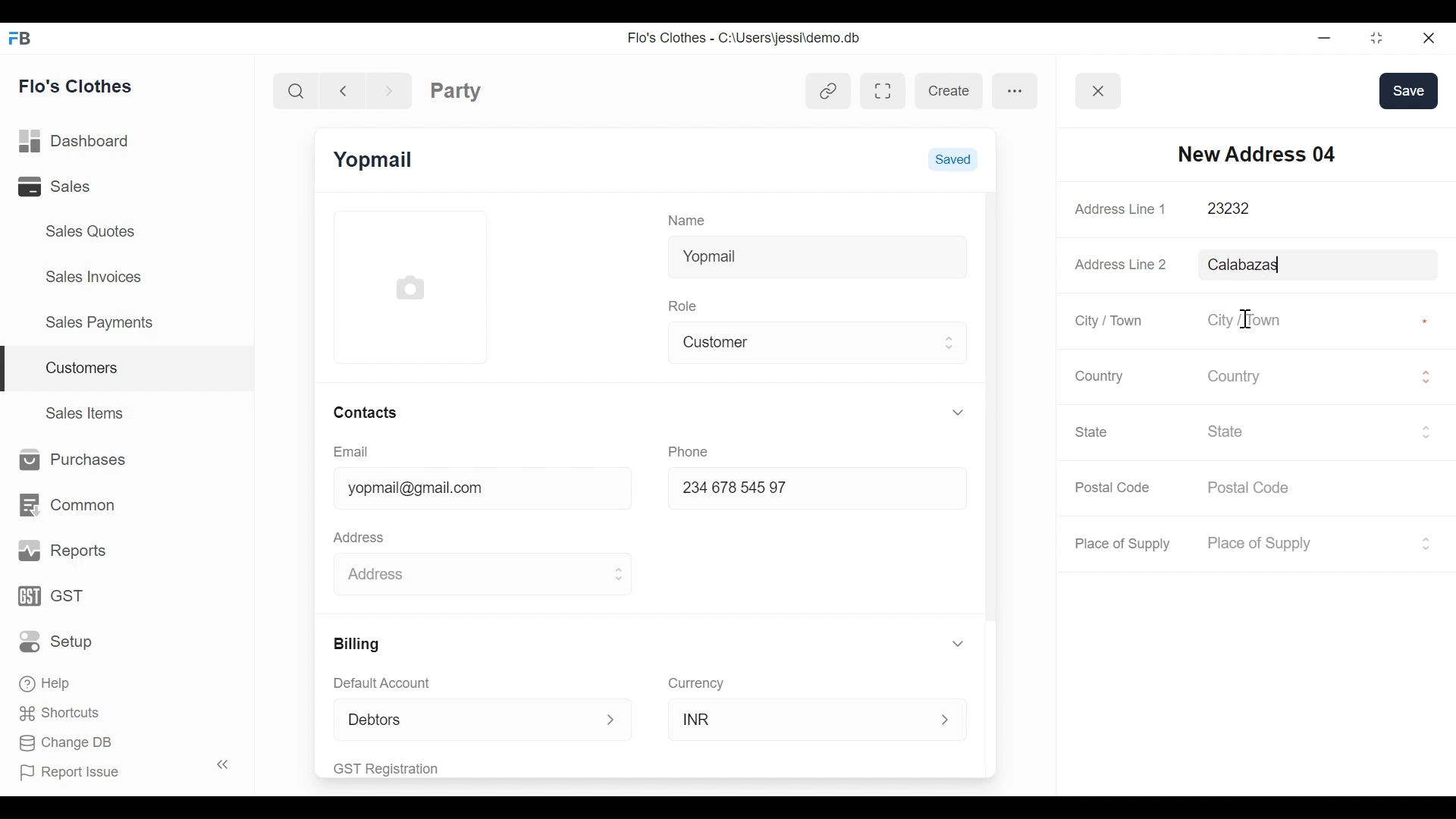  What do you see at coordinates (612, 720) in the screenshot?
I see `Expand` at bounding box center [612, 720].